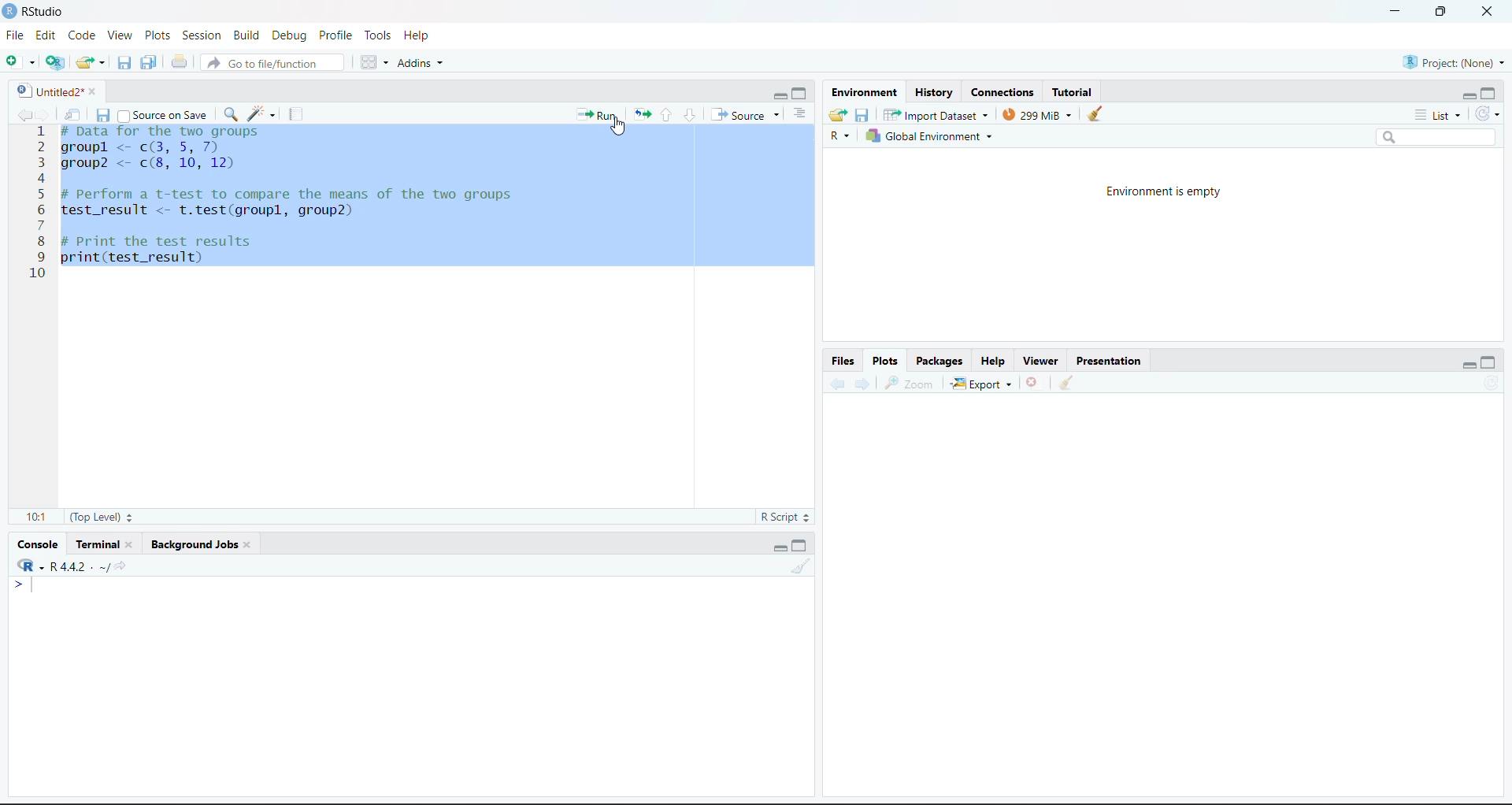 The width and height of the screenshot is (1512, 805). What do you see at coordinates (61, 274) in the screenshot?
I see `text cursor` at bounding box center [61, 274].